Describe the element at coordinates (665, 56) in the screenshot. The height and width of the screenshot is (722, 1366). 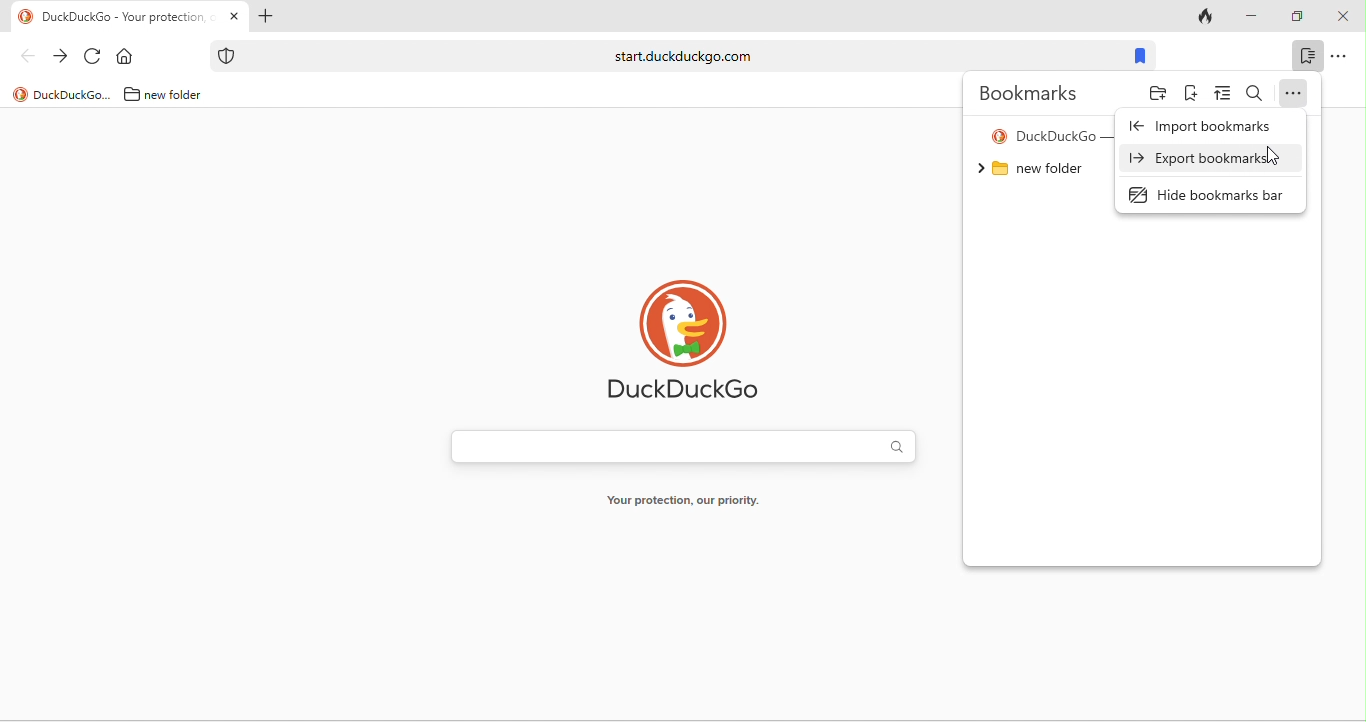
I see `weblink` at that location.